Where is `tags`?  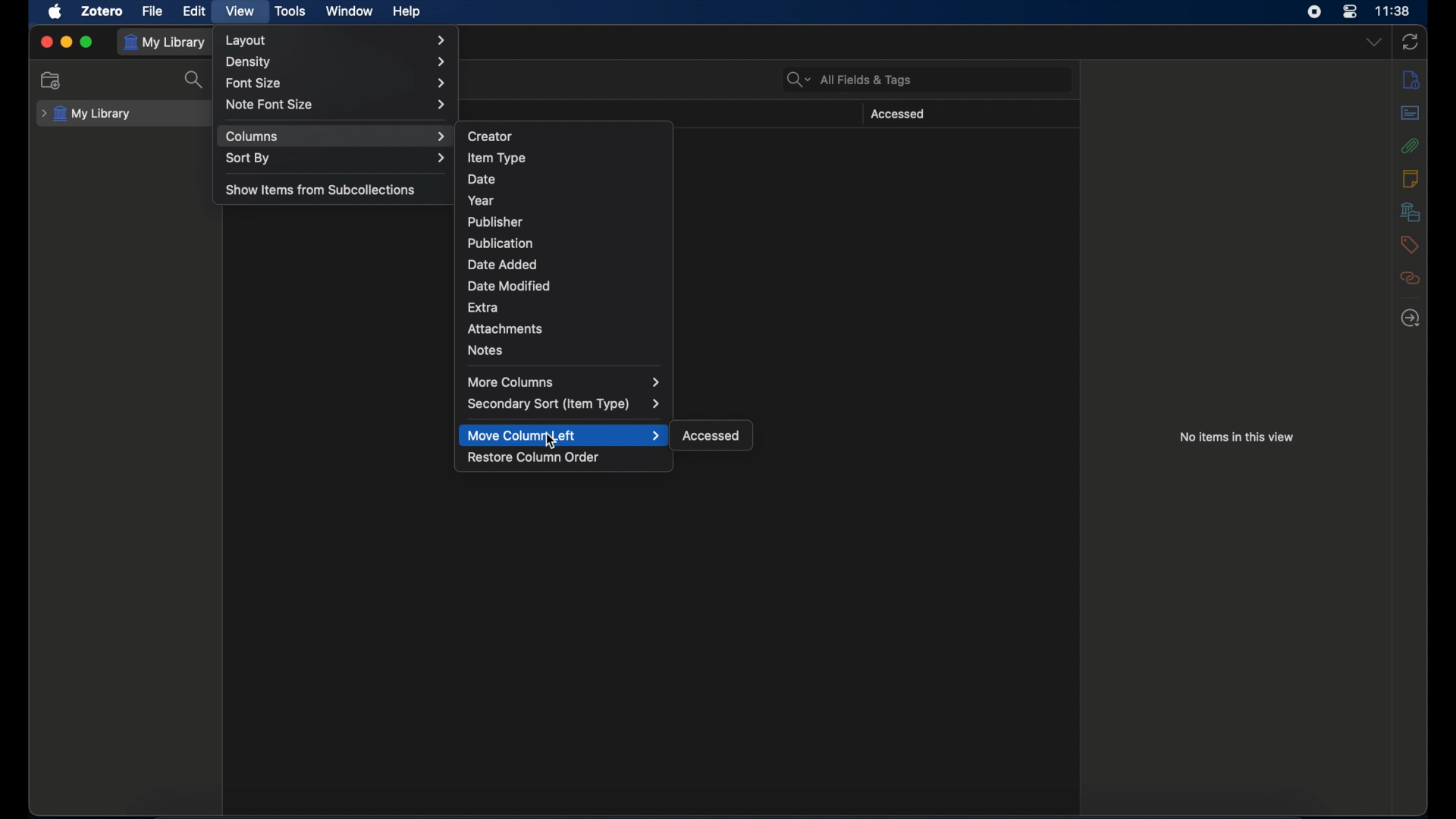 tags is located at coordinates (1410, 244).